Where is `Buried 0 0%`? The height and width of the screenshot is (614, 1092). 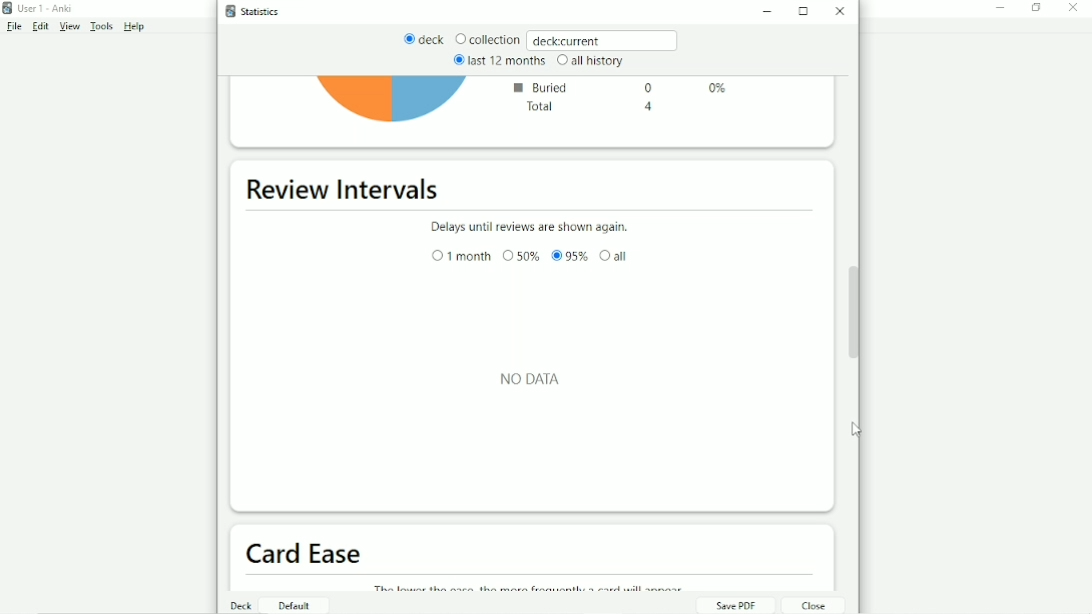
Buried 0 0% is located at coordinates (623, 86).